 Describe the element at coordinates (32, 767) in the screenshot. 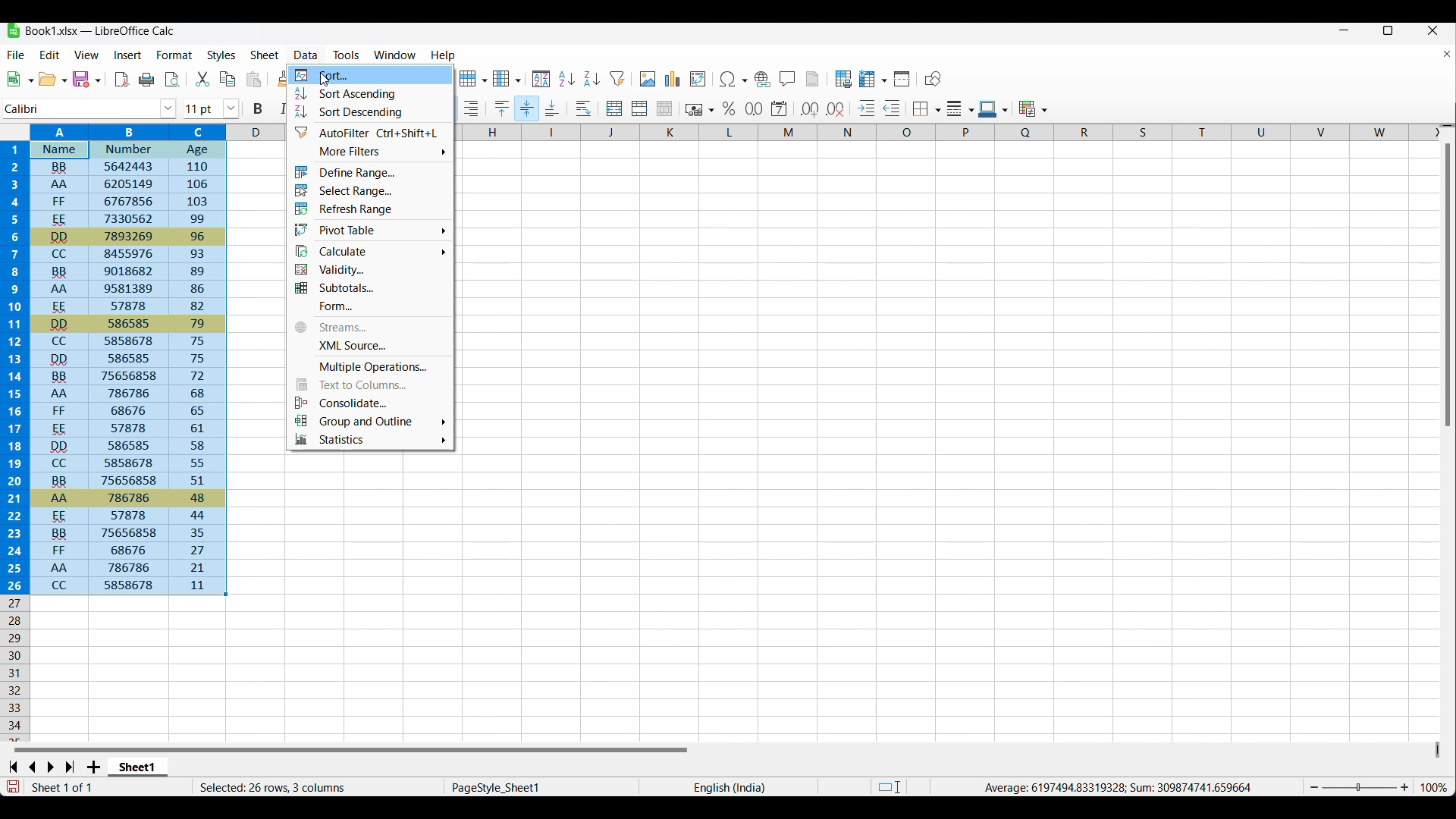

I see `Go to previous sheet` at that location.